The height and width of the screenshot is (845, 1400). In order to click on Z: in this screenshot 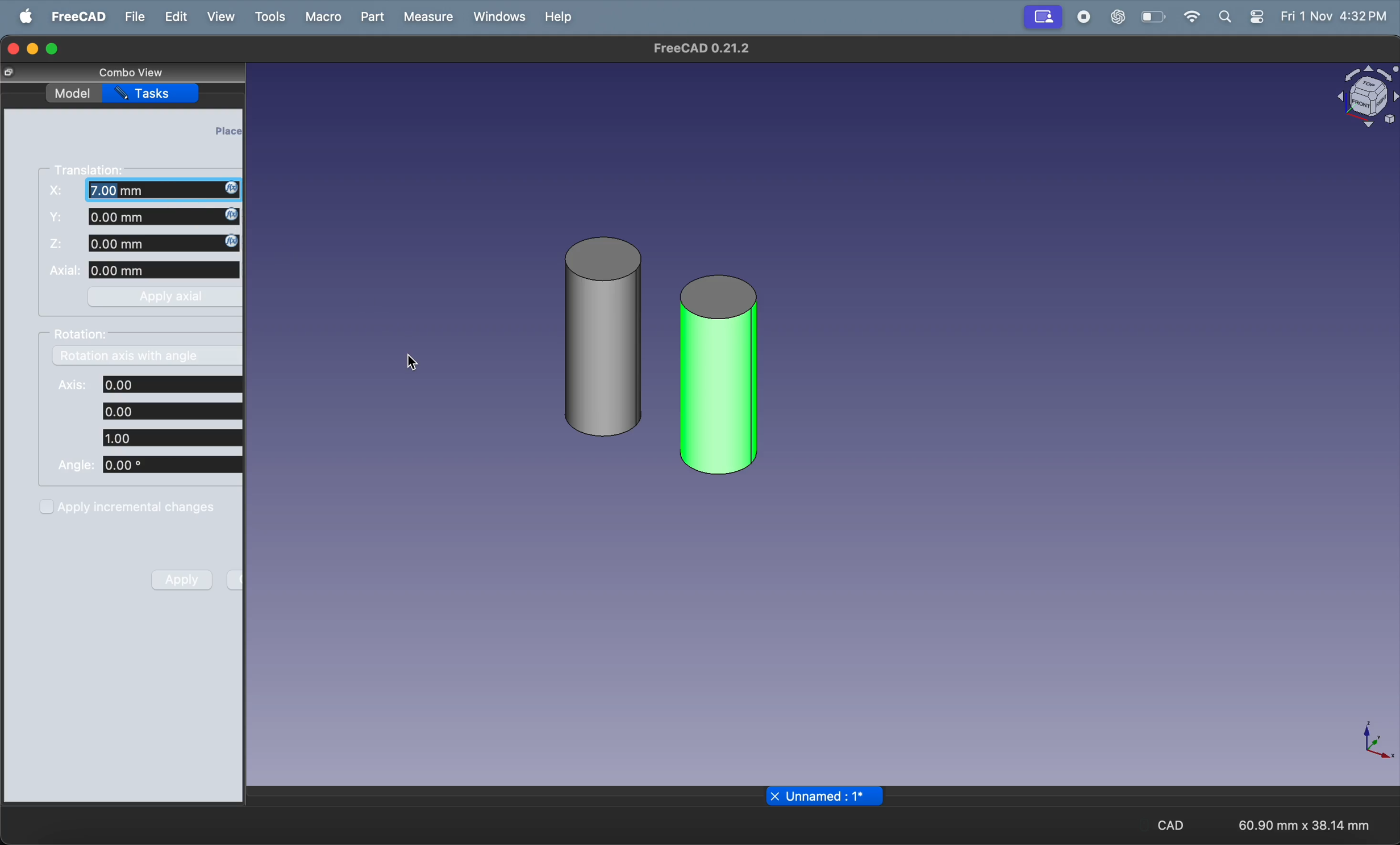, I will do `click(58, 243)`.